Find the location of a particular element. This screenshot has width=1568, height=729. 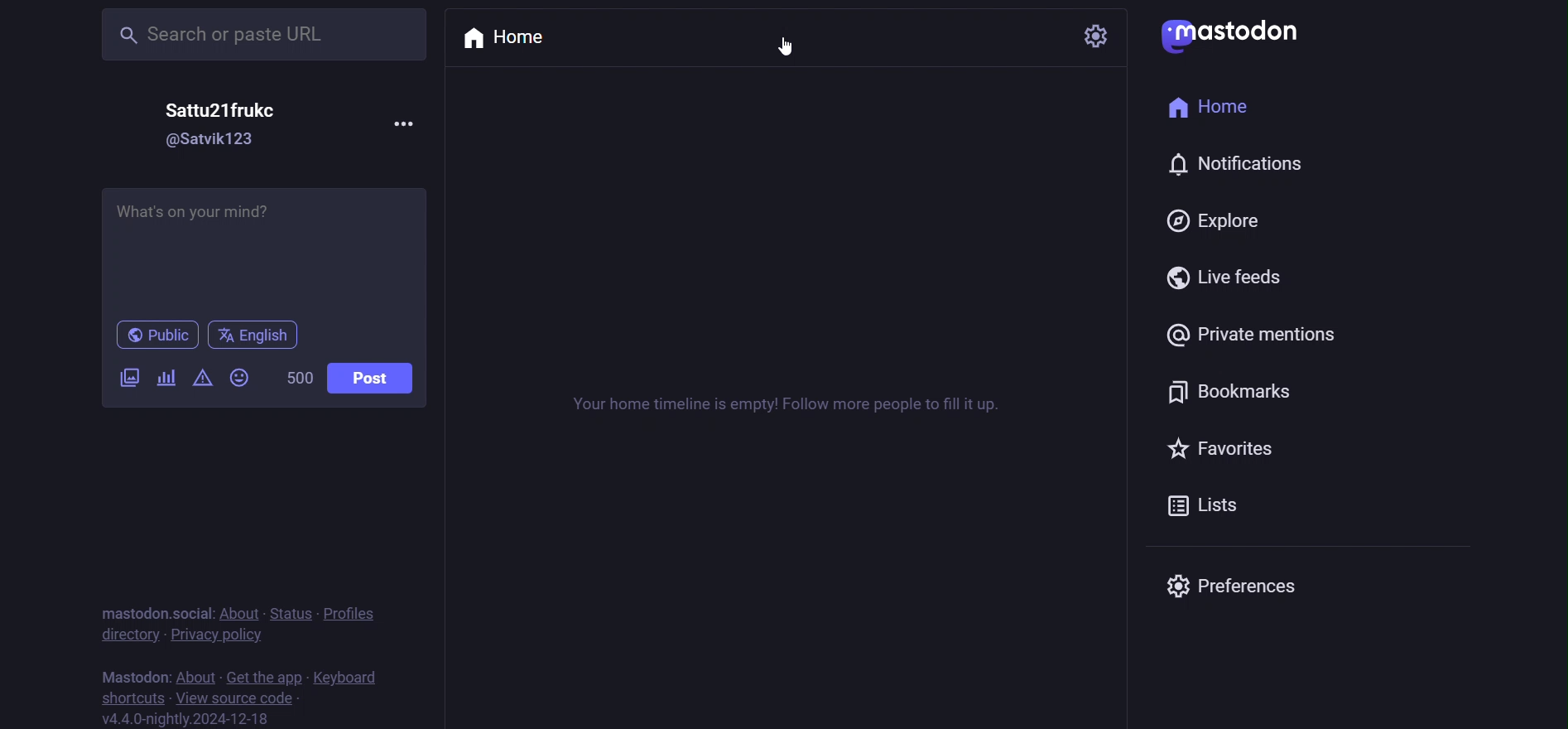

emoji is located at coordinates (239, 377).